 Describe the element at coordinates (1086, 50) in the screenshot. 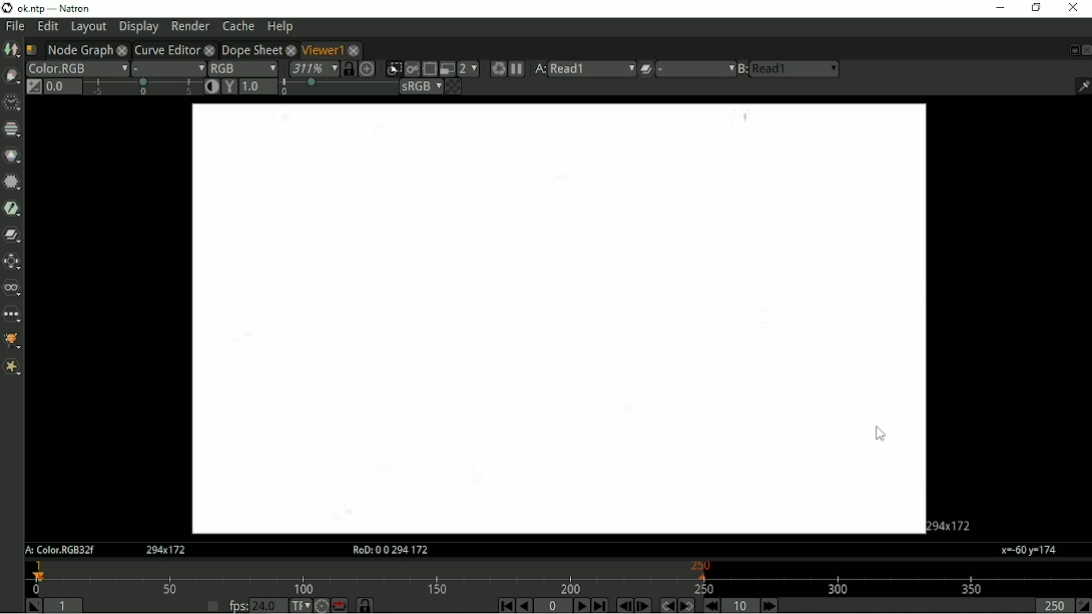

I see `Close` at that location.